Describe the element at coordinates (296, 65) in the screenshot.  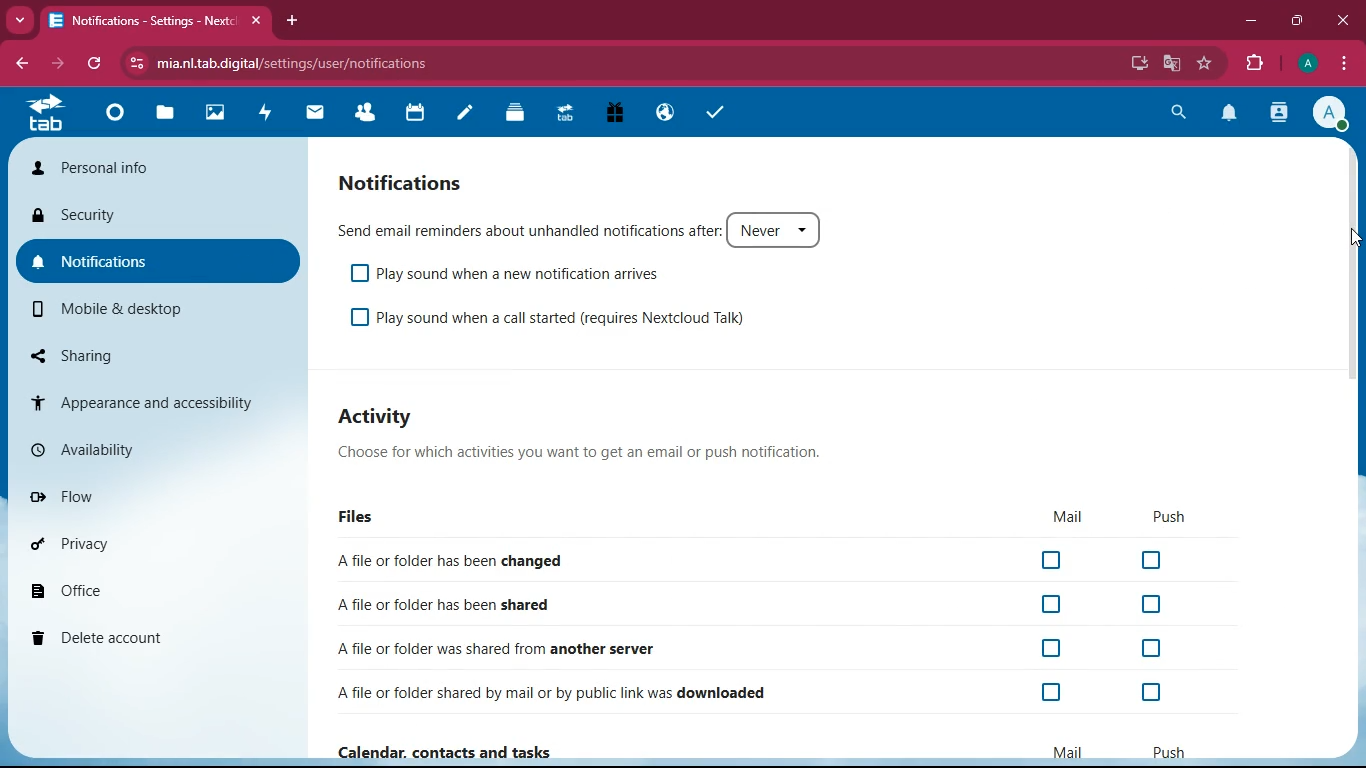
I see `mia.nl.tab.digital/settings/user/notifications` at that location.